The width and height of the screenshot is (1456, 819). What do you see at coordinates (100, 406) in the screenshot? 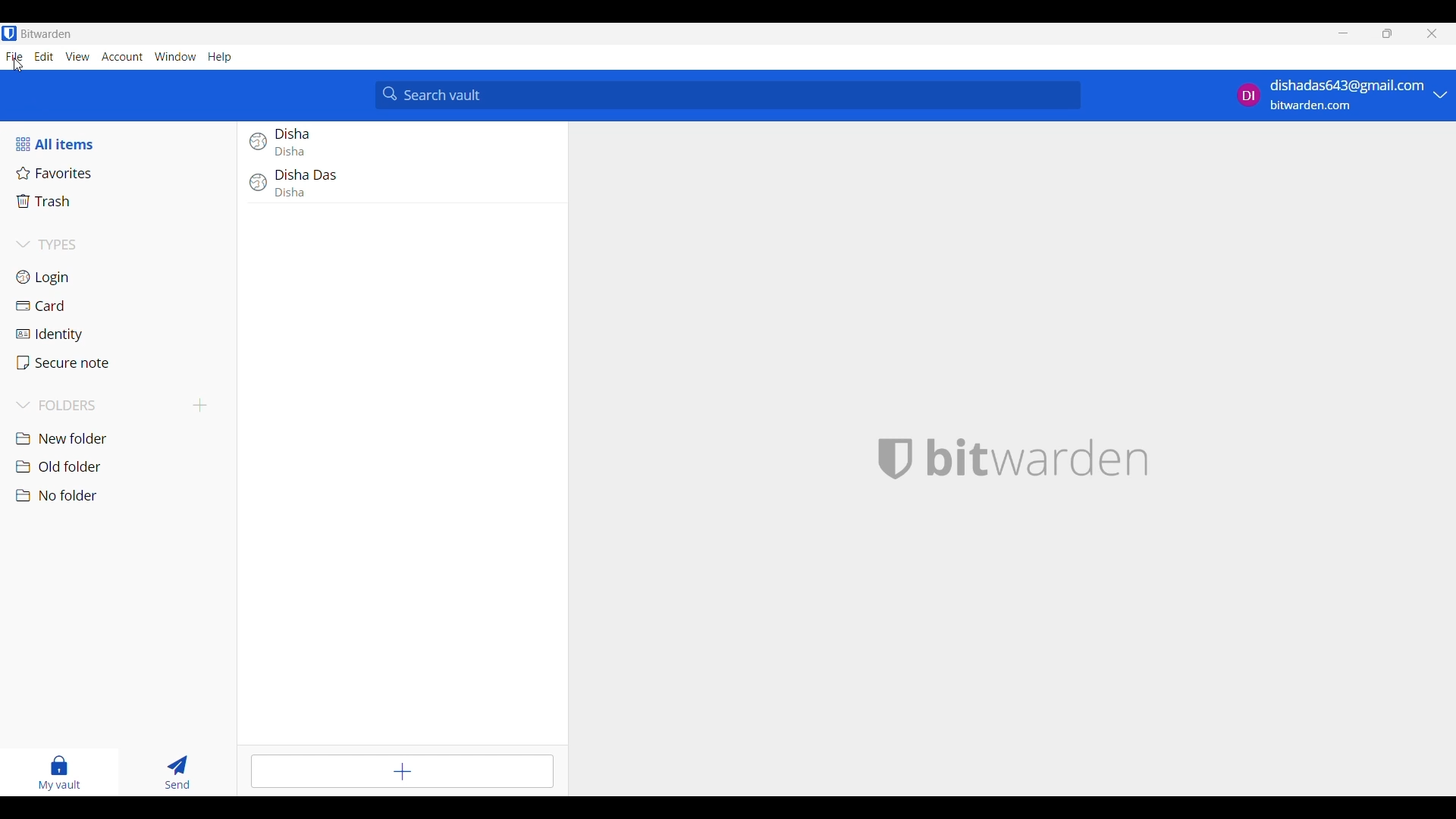
I see `Collapse Folders` at bounding box center [100, 406].